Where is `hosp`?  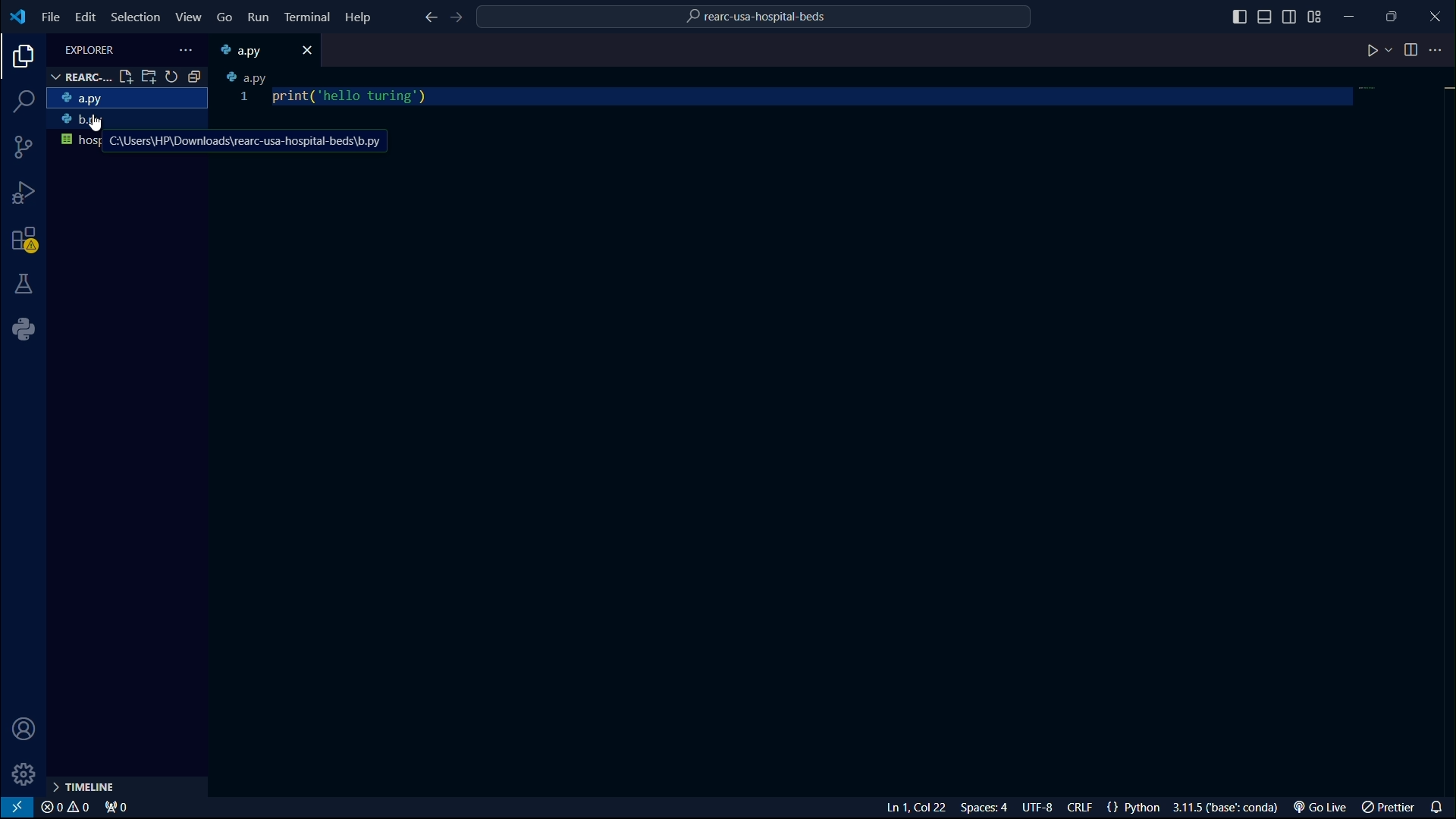
hosp is located at coordinates (79, 142).